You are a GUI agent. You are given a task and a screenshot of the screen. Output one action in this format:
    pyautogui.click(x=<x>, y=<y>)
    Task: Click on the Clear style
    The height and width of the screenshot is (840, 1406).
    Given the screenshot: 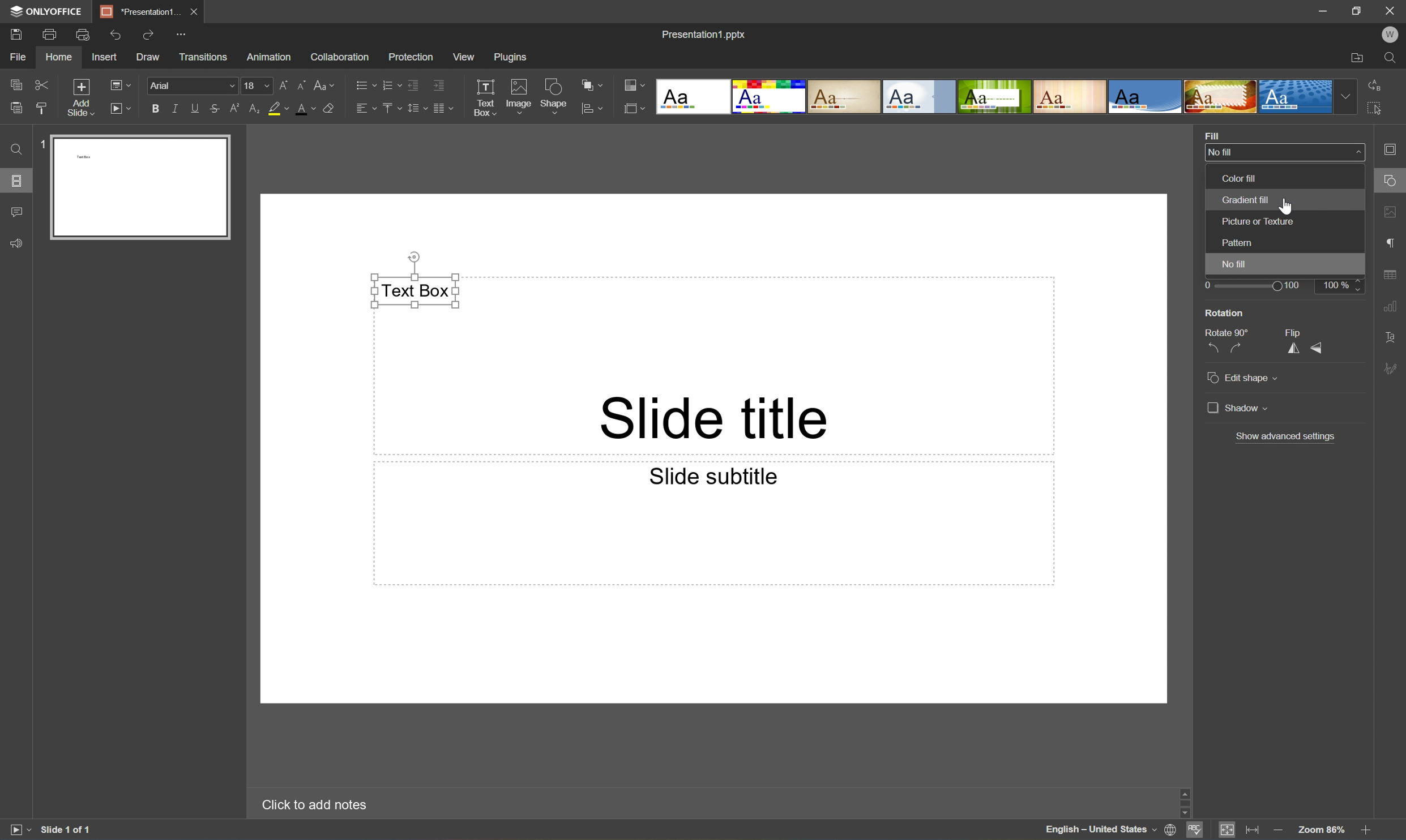 What is the action you would take?
    pyautogui.click(x=331, y=108)
    